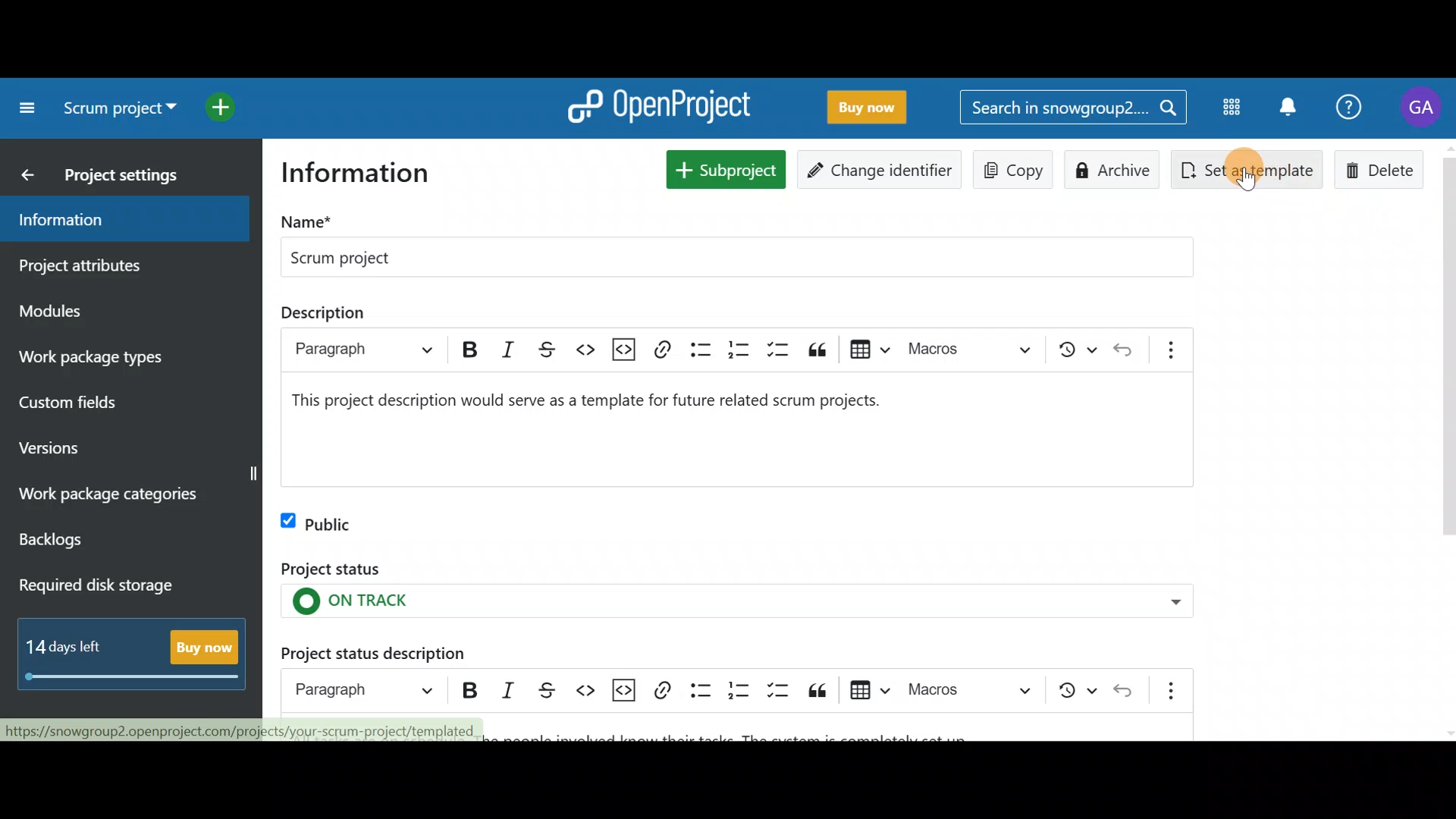  What do you see at coordinates (1013, 168) in the screenshot?
I see `Copy` at bounding box center [1013, 168].